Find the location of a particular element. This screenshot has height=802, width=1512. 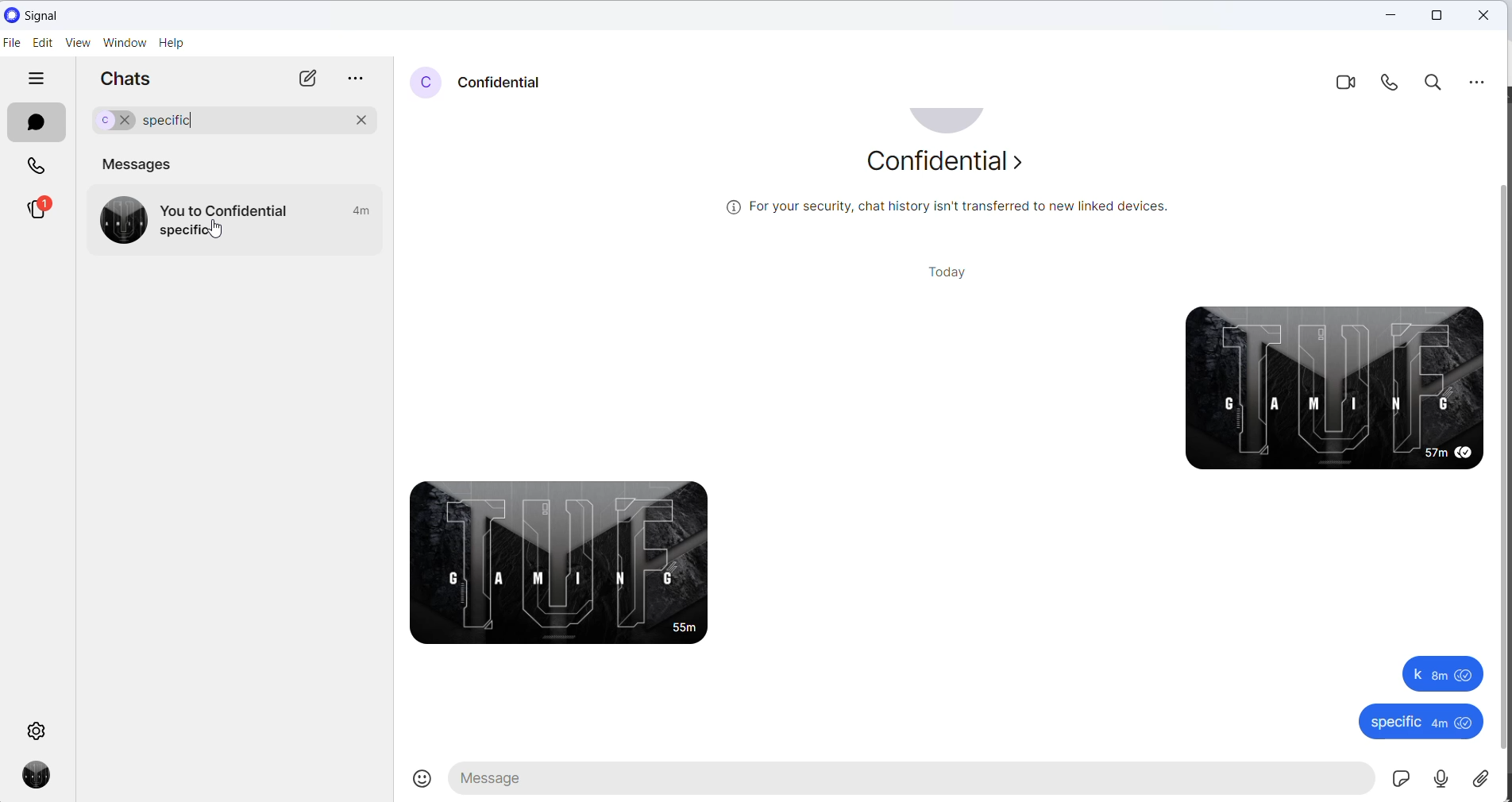

profile picture is located at coordinates (424, 83).